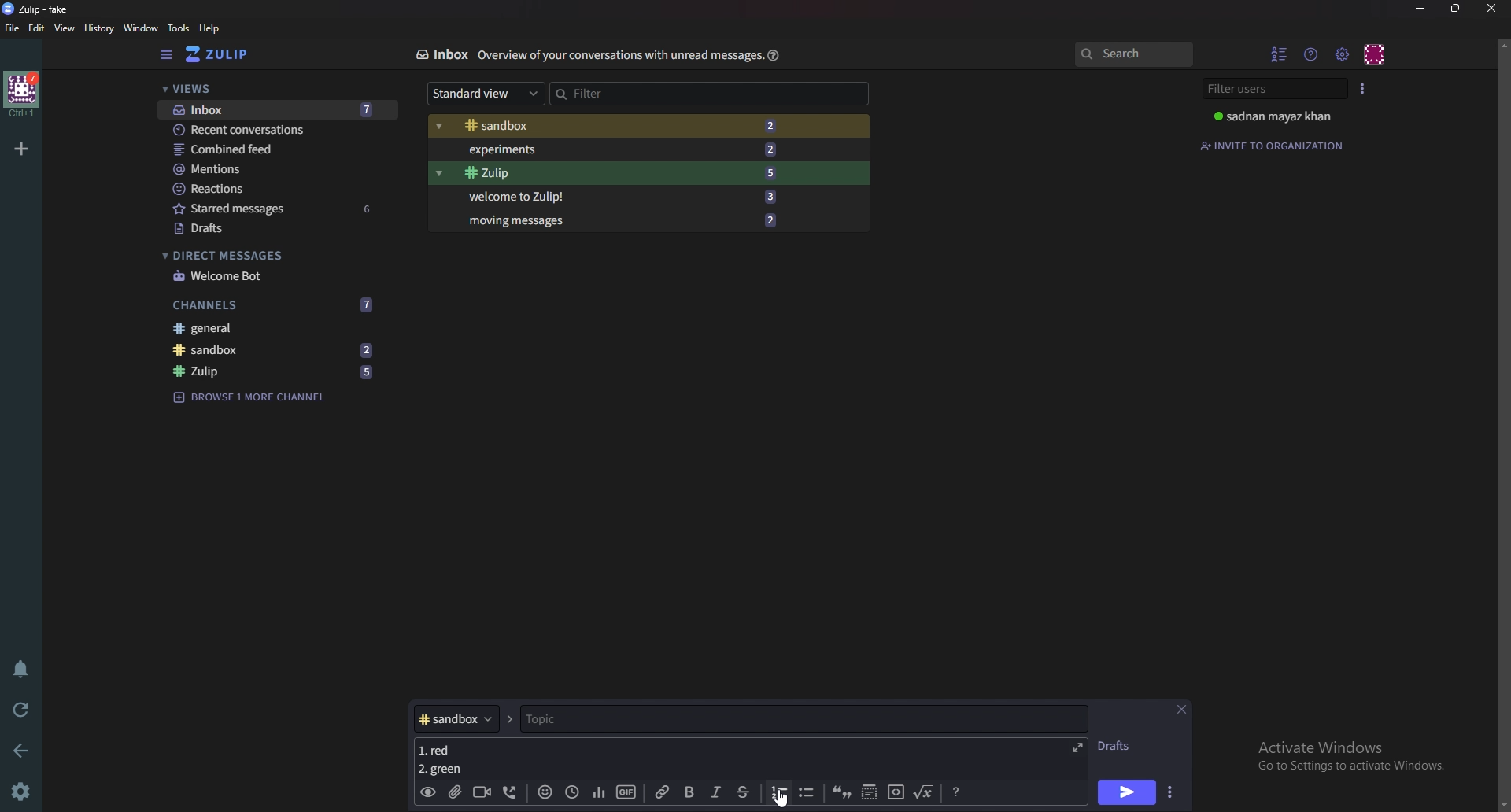 The image size is (1511, 812). What do you see at coordinates (744, 792) in the screenshot?
I see `Strike through` at bounding box center [744, 792].